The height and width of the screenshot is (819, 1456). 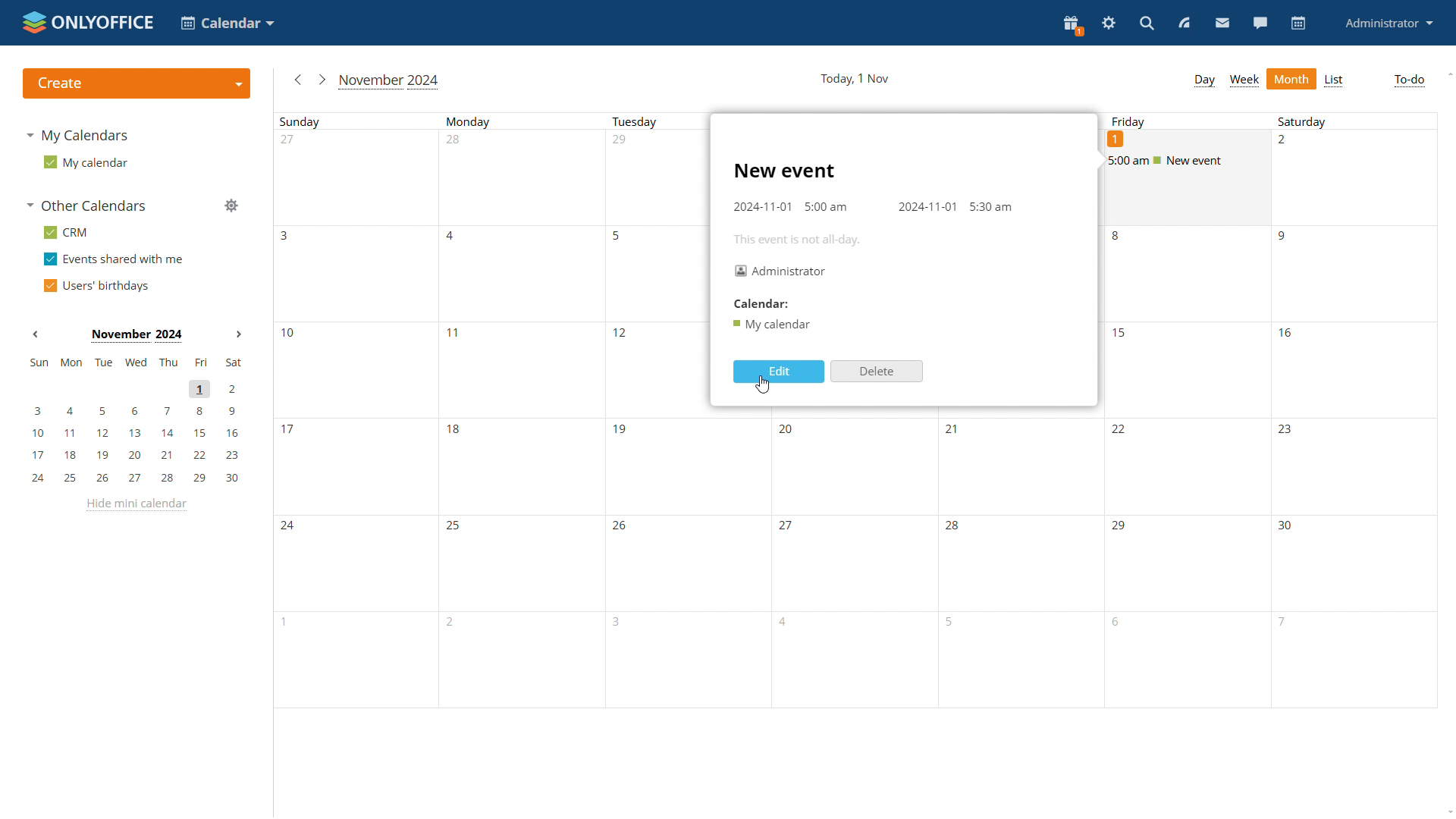 What do you see at coordinates (135, 334) in the screenshot?
I see `Month on display` at bounding box center [135, 334].